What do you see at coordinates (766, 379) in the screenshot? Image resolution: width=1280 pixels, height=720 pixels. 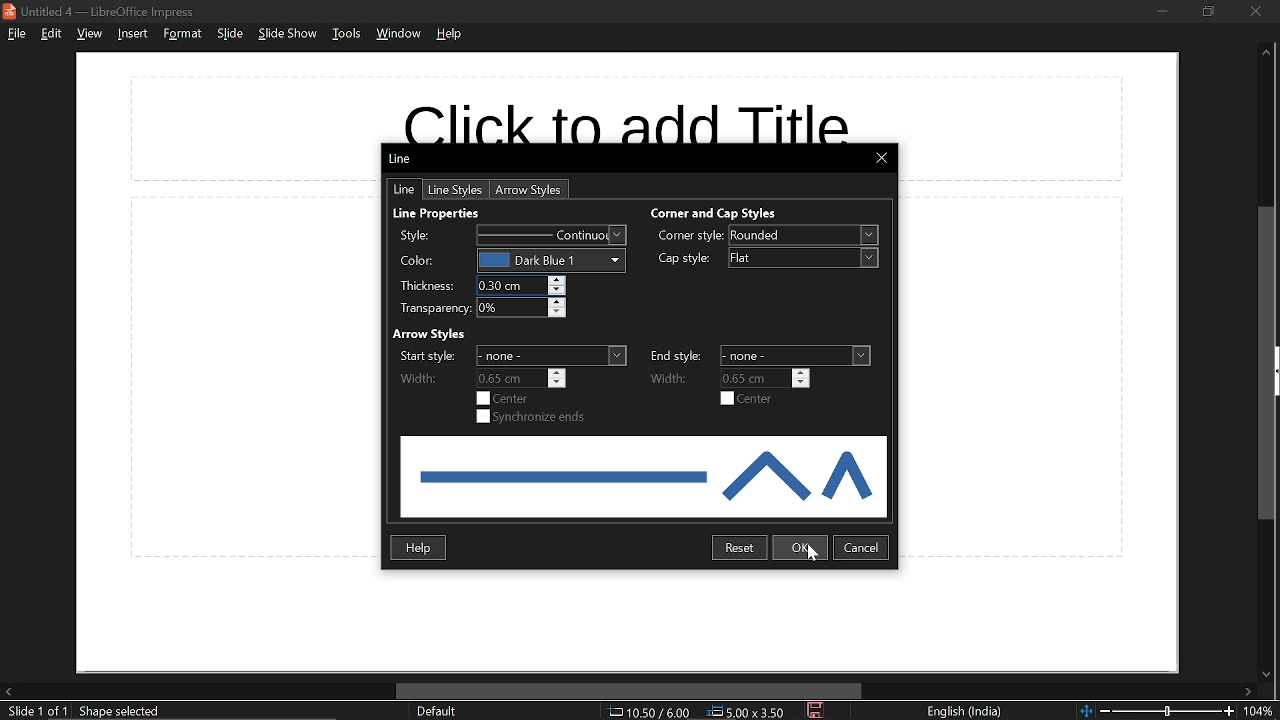 I see `end width` at bounding box center [766, 379].